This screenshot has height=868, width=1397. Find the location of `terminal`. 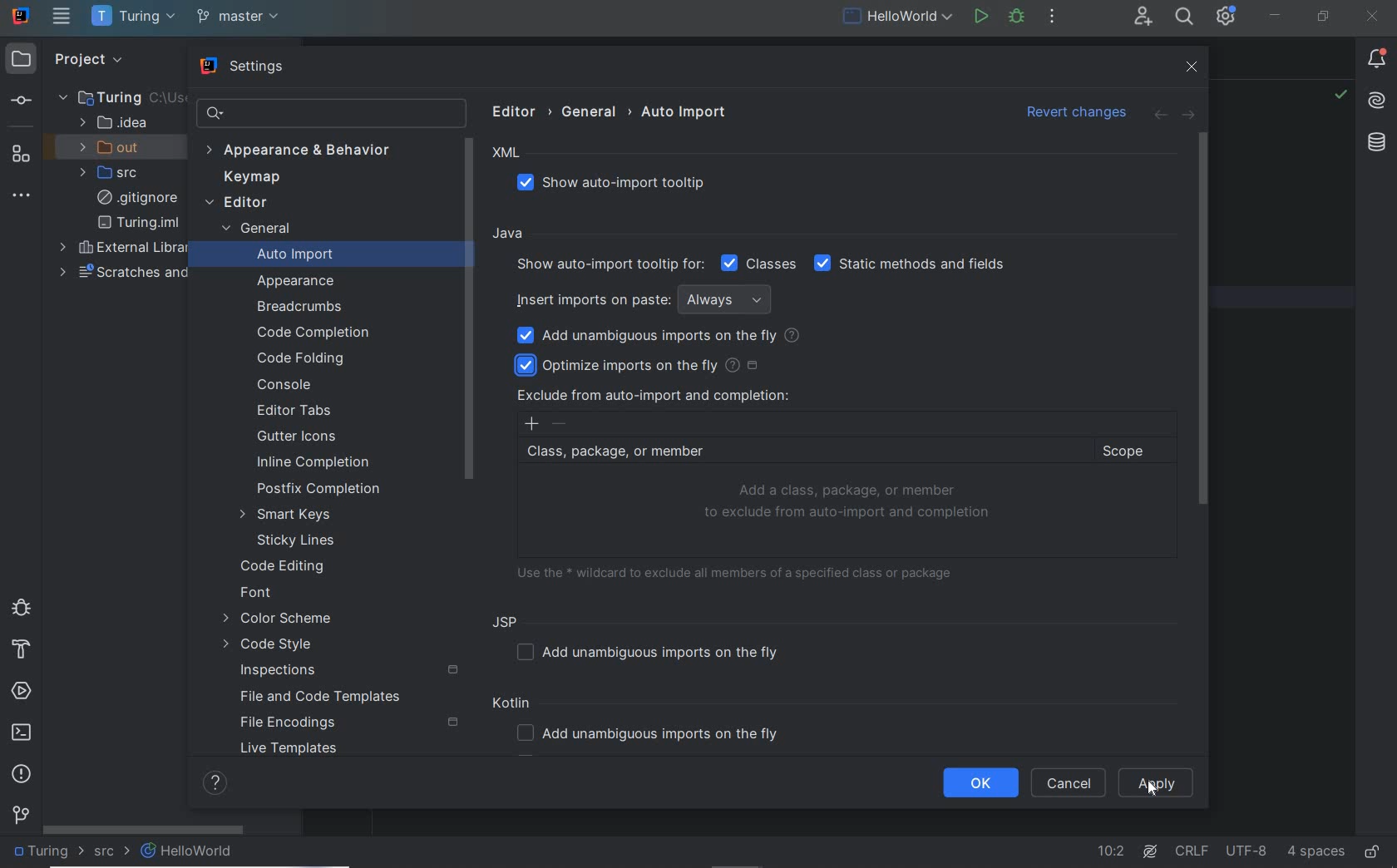

terminal is located at coordinates (23, 733).